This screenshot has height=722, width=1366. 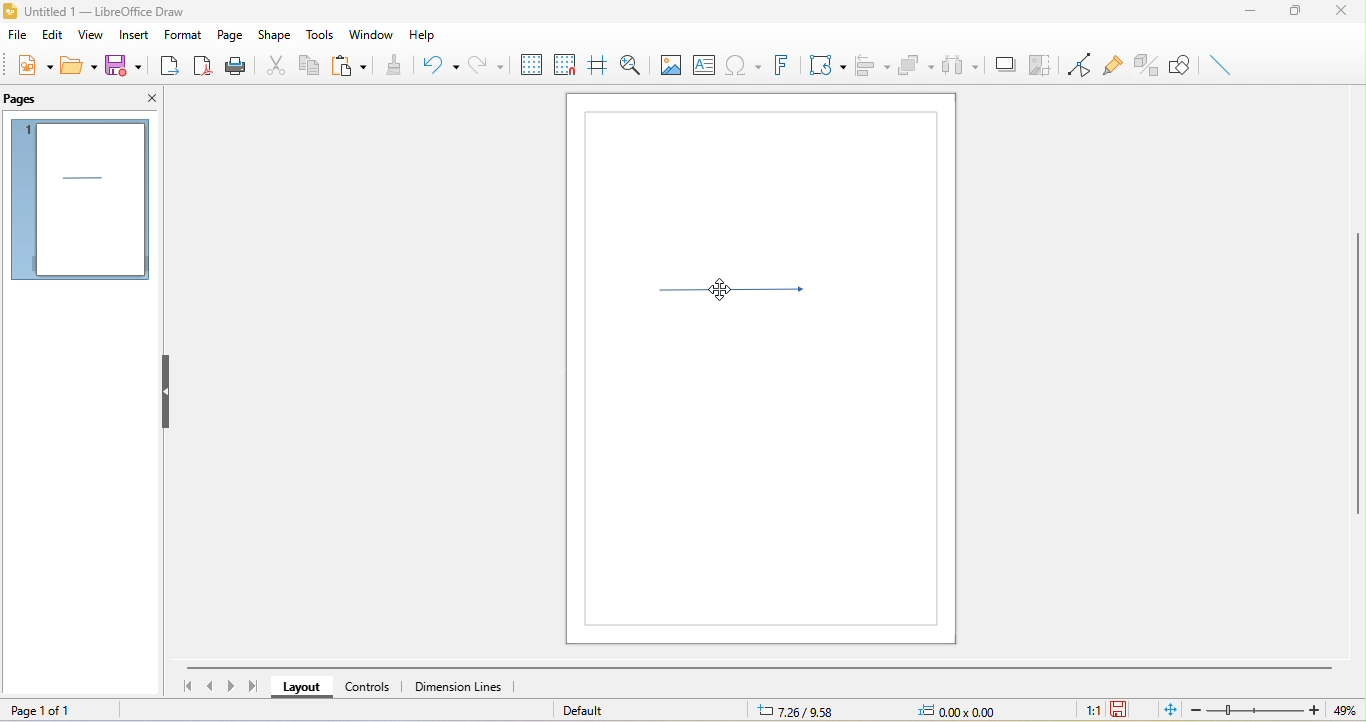 I want to click on controls, so click(x=371, y=686).